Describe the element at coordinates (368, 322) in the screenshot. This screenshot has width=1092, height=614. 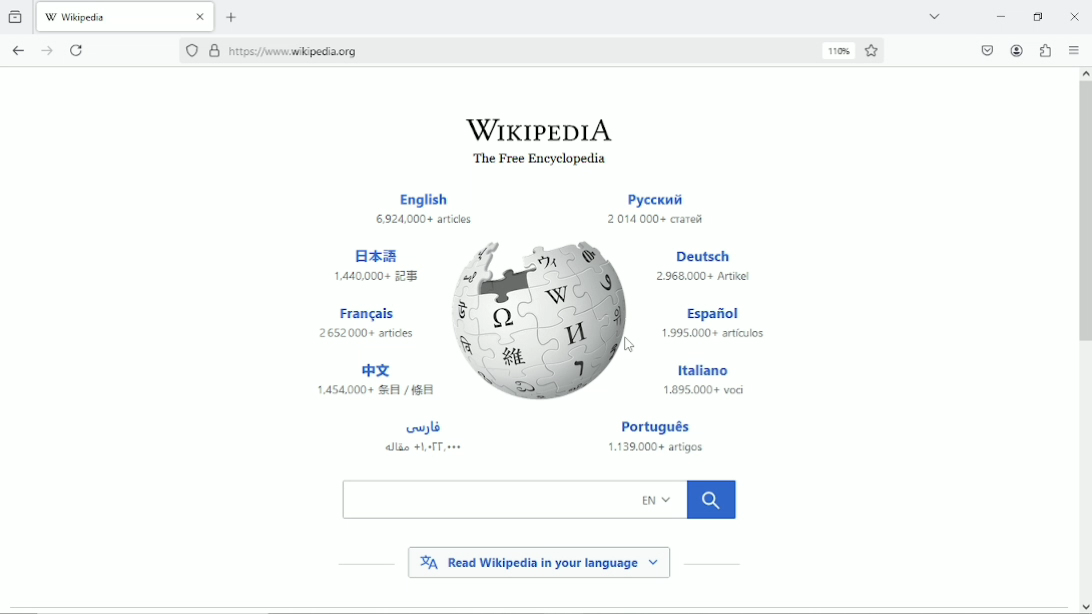
I see `Francais
2652000+ artices` at that location.